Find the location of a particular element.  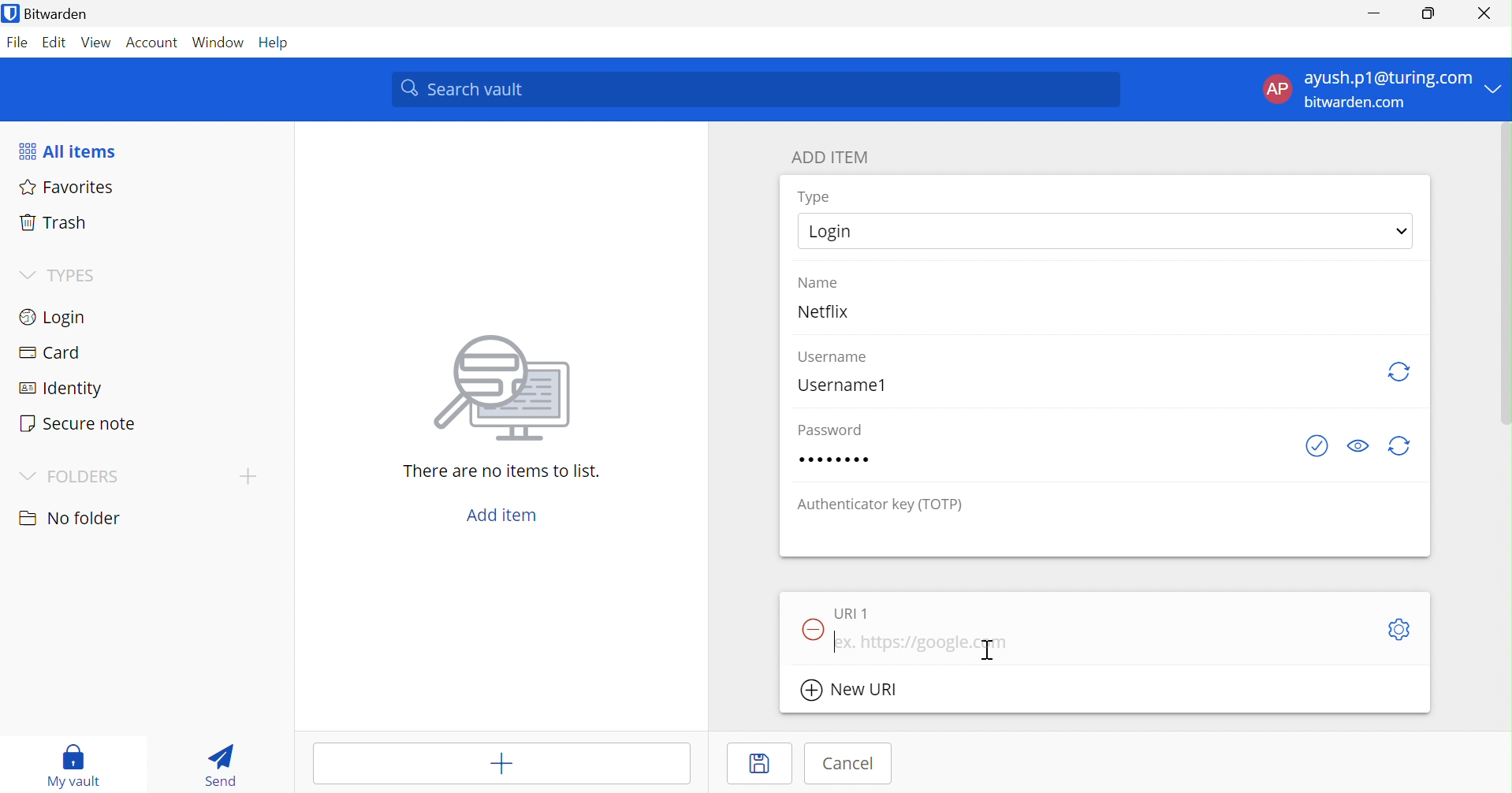

Add folder is located at coordinates (248, 477).